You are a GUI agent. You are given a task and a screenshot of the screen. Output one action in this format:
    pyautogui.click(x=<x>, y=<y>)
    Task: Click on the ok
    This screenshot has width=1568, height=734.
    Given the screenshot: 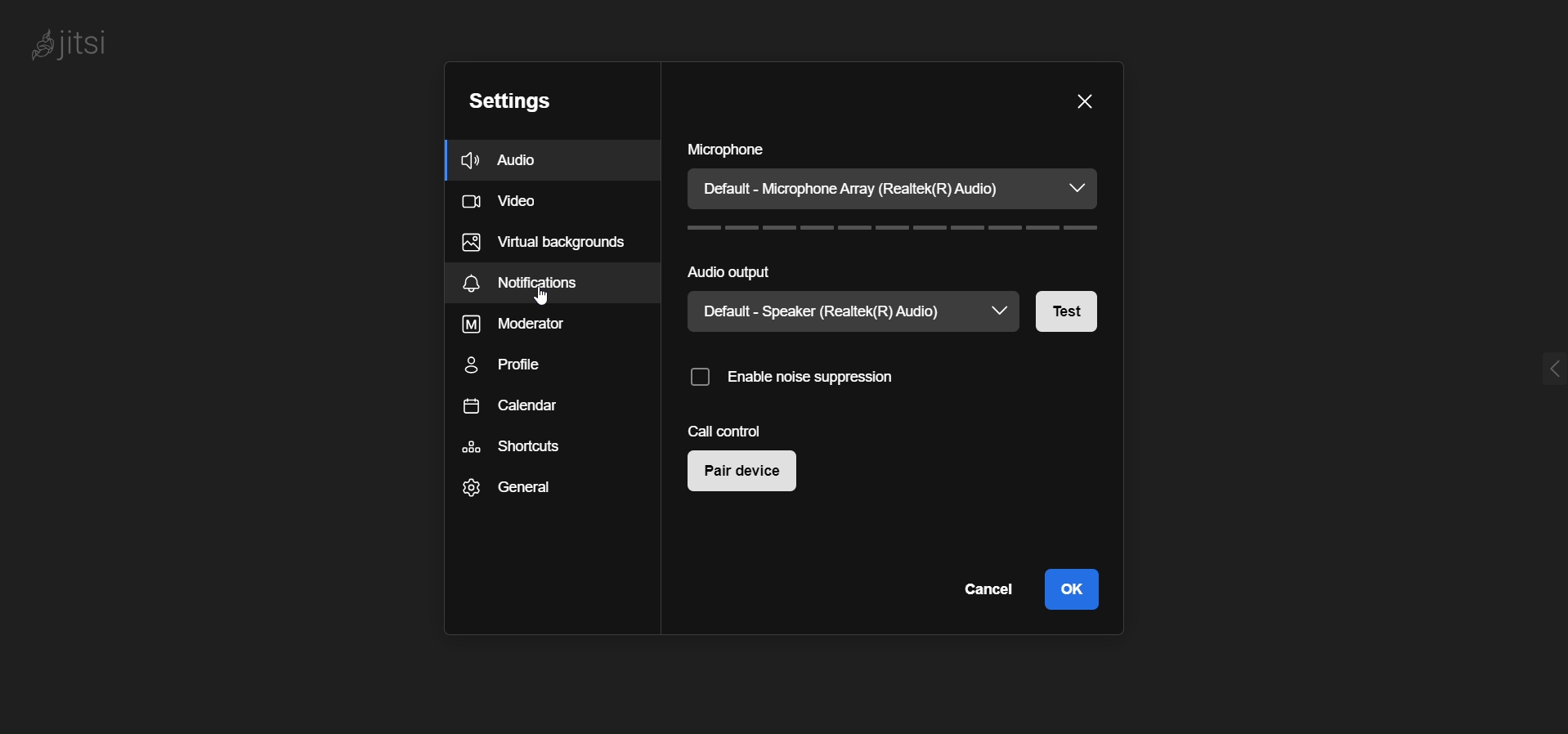 What is the action you would take?
    pyautogui.click(x=1071, y=587)
    